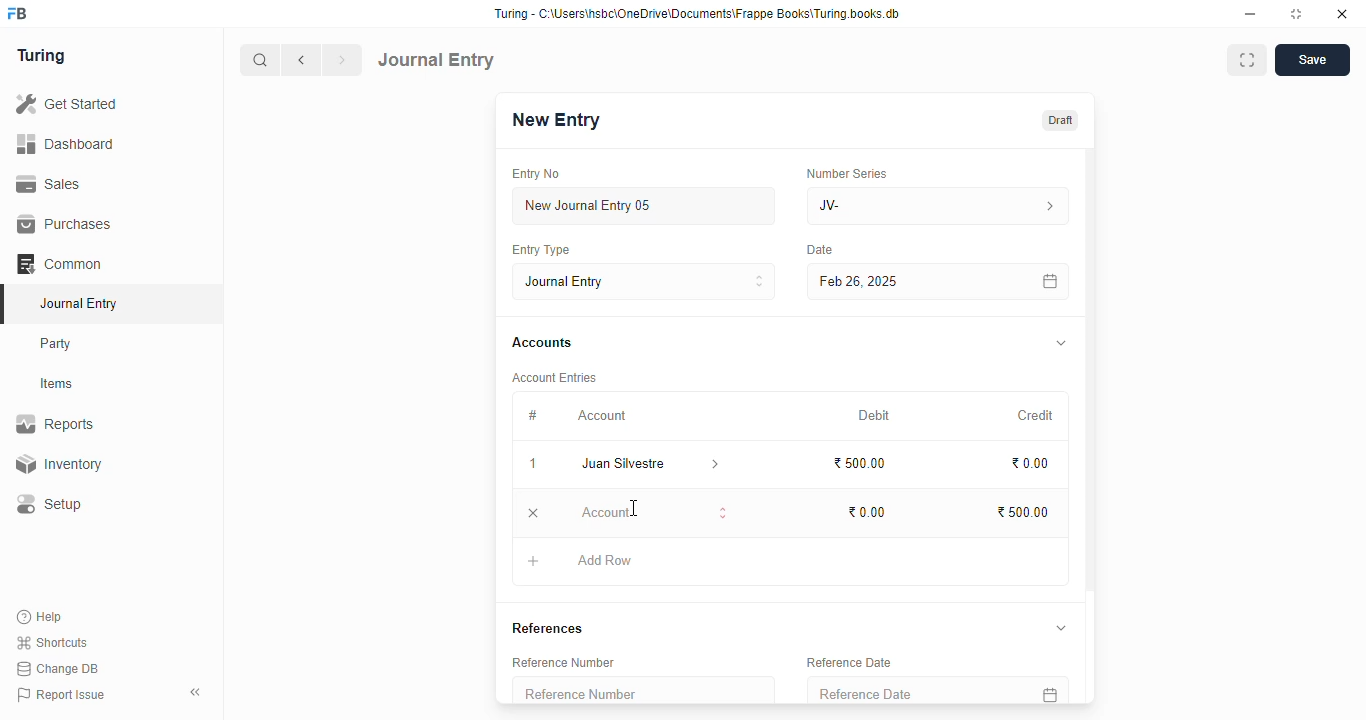 The width and height of the screenshot is (1366, 720). What do you see at coordinates (68, 104) in the screenshot?
I see `get started` at bounding box center [68, 104].